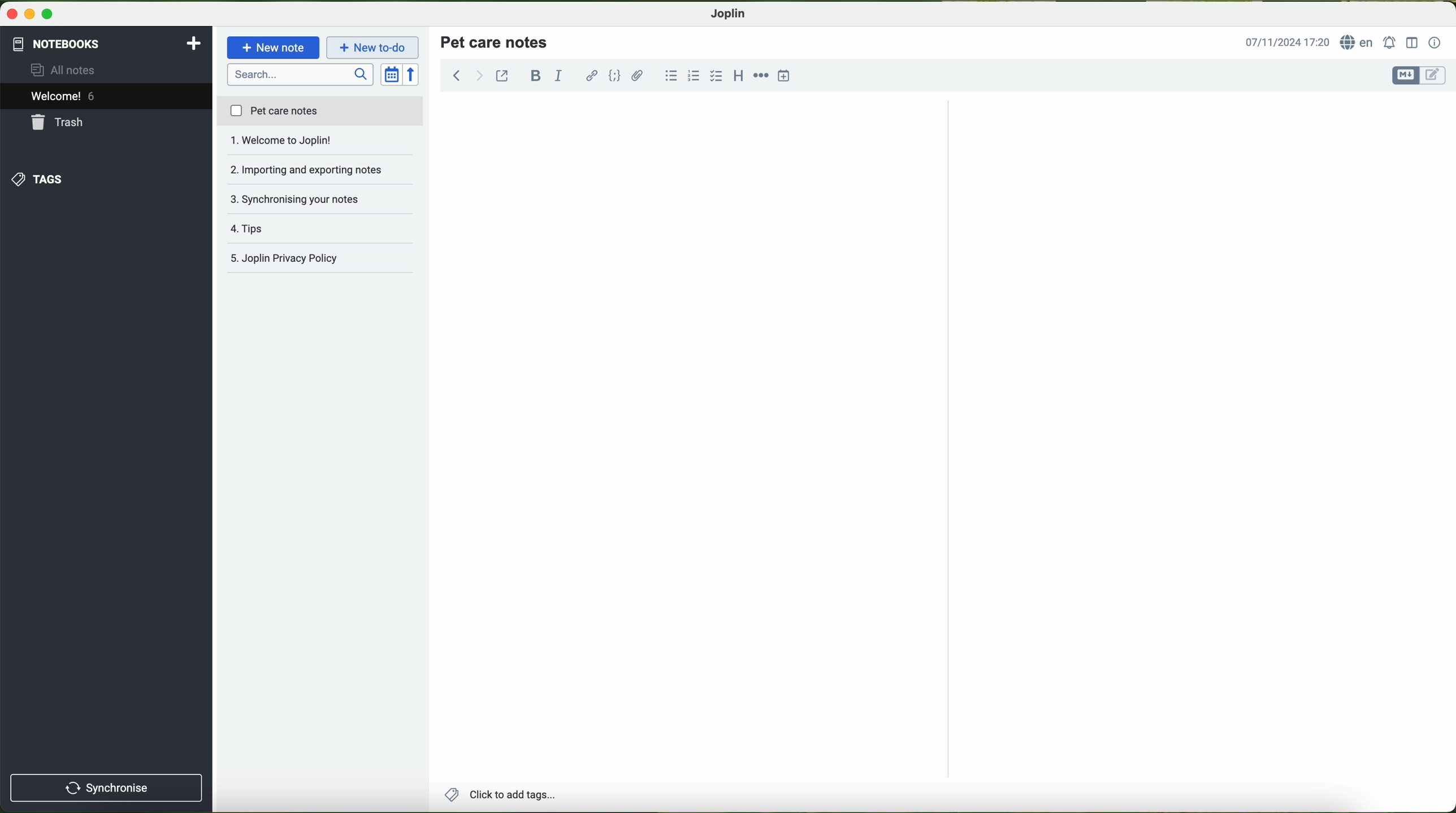 The image size is (1456, 813). I want to click on hyperlink, so click(593, 77).